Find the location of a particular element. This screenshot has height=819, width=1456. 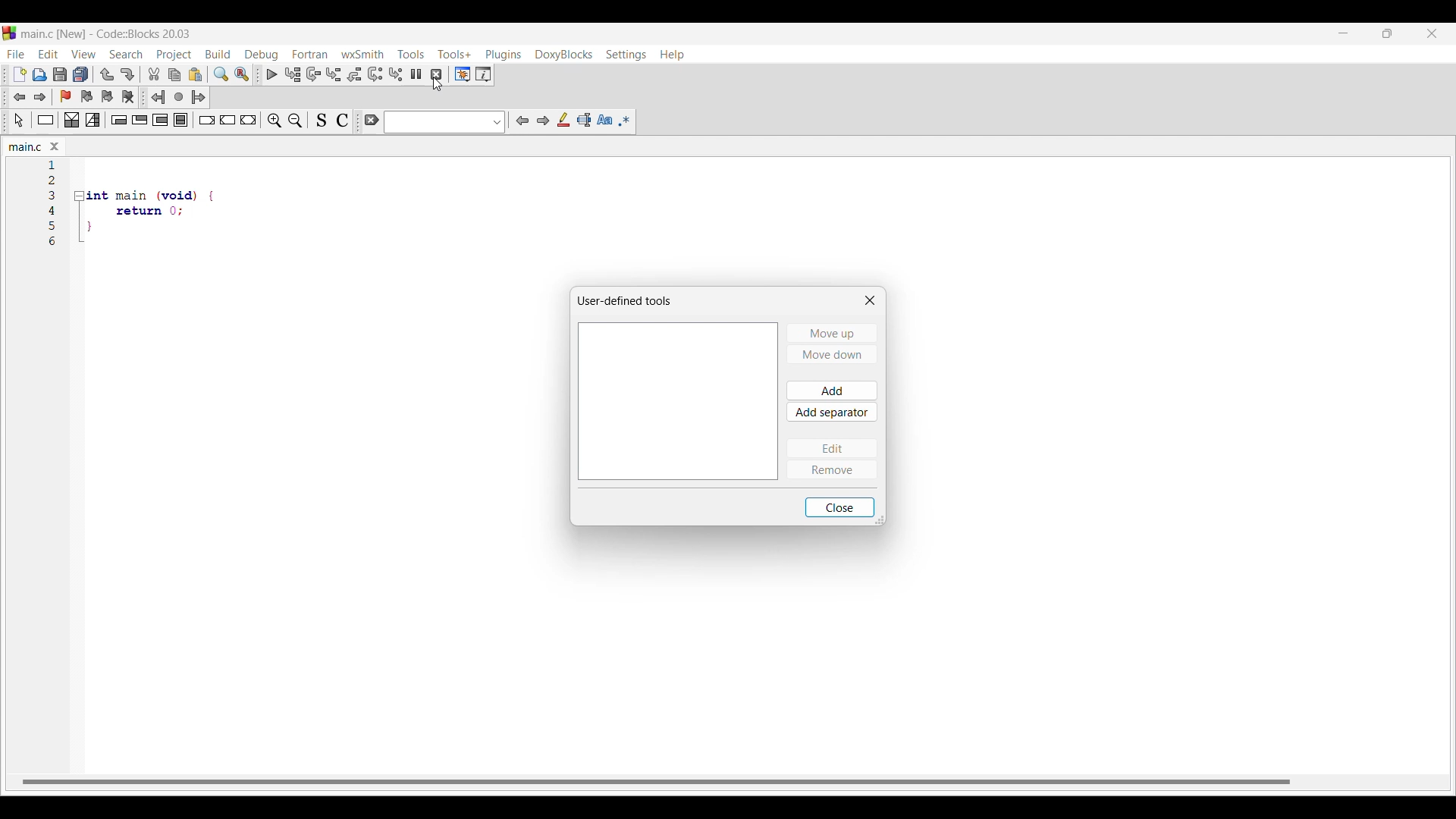

Jump forward is located at coordinates (199, 97).